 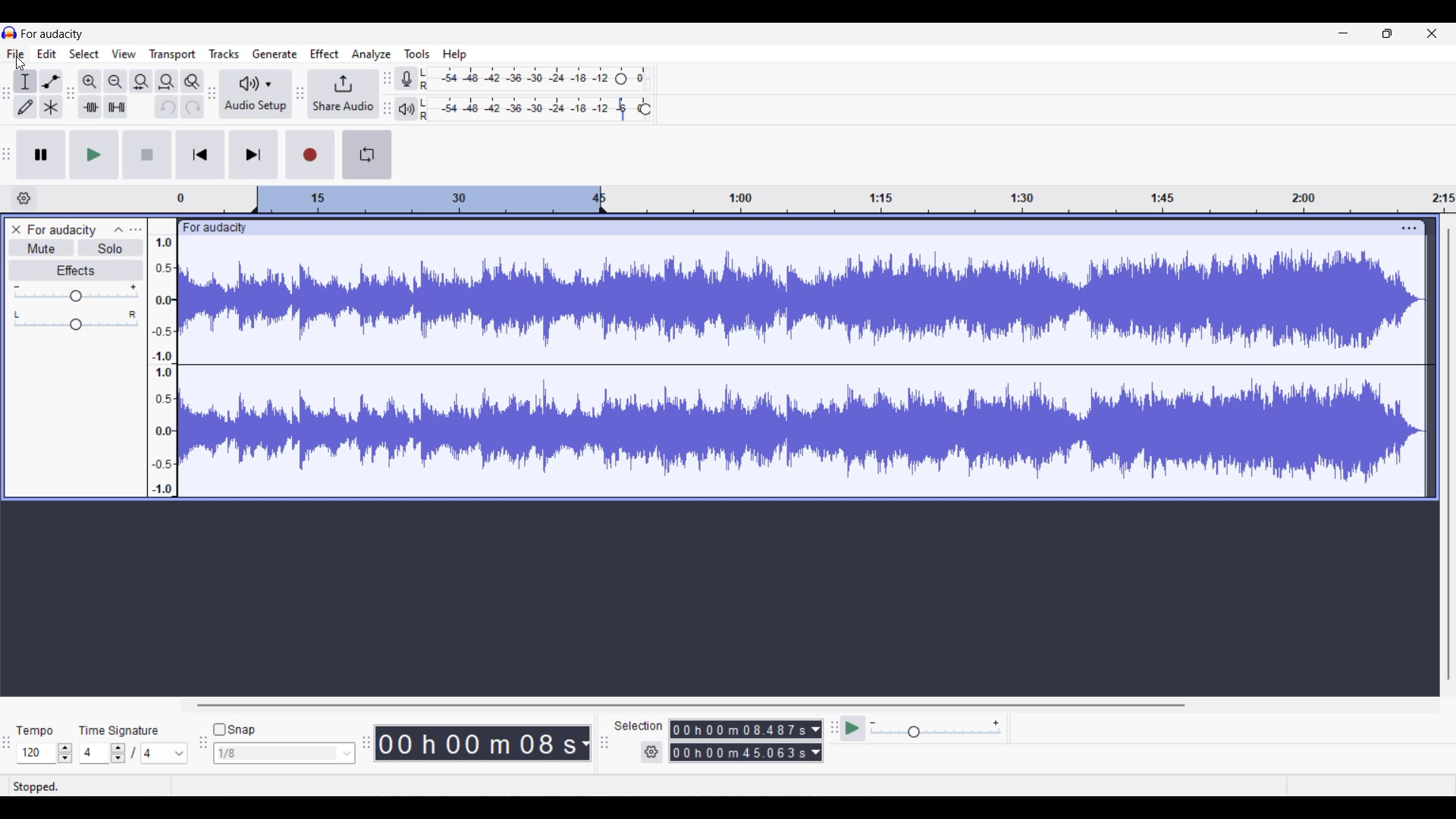 What do you see at coordinates (816, 730) in the screenshot?
I see `Duration measurement` at bounding box center [816, 730].